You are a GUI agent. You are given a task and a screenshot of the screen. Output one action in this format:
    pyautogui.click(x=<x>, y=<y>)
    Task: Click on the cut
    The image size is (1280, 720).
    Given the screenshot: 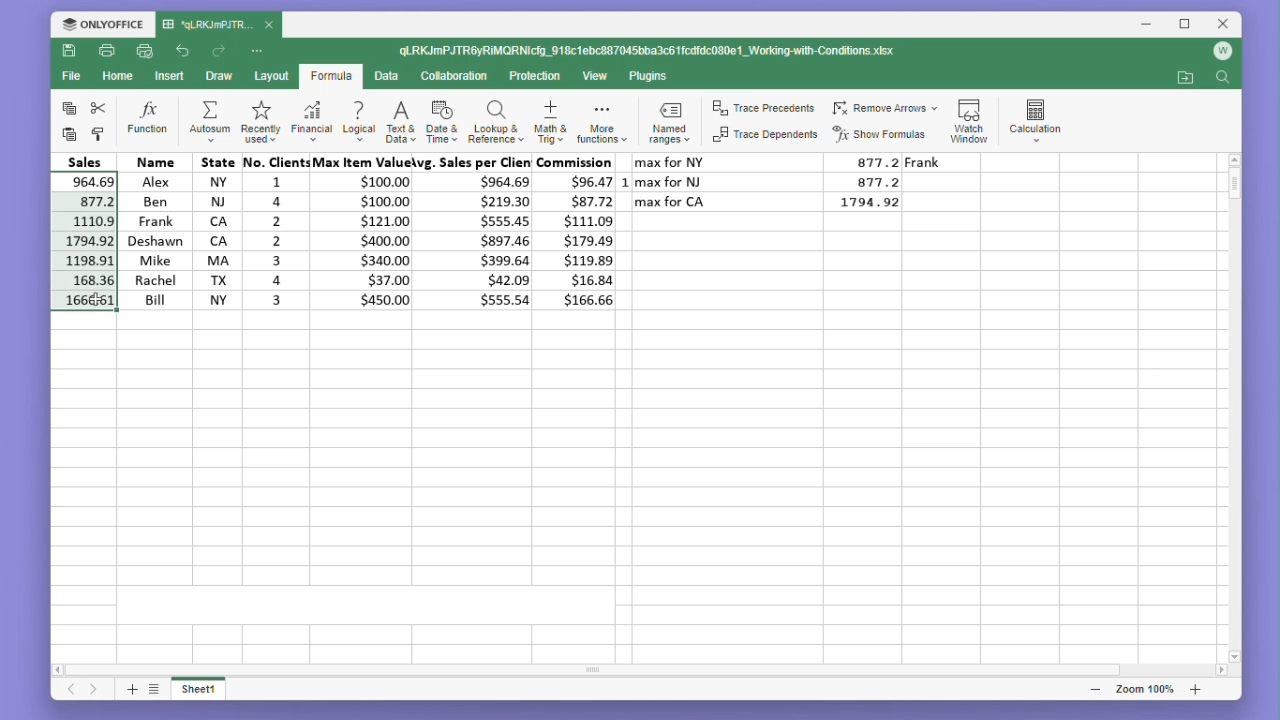 What is the action you would take?
    pyautogui.click(x=99, y=108)
    